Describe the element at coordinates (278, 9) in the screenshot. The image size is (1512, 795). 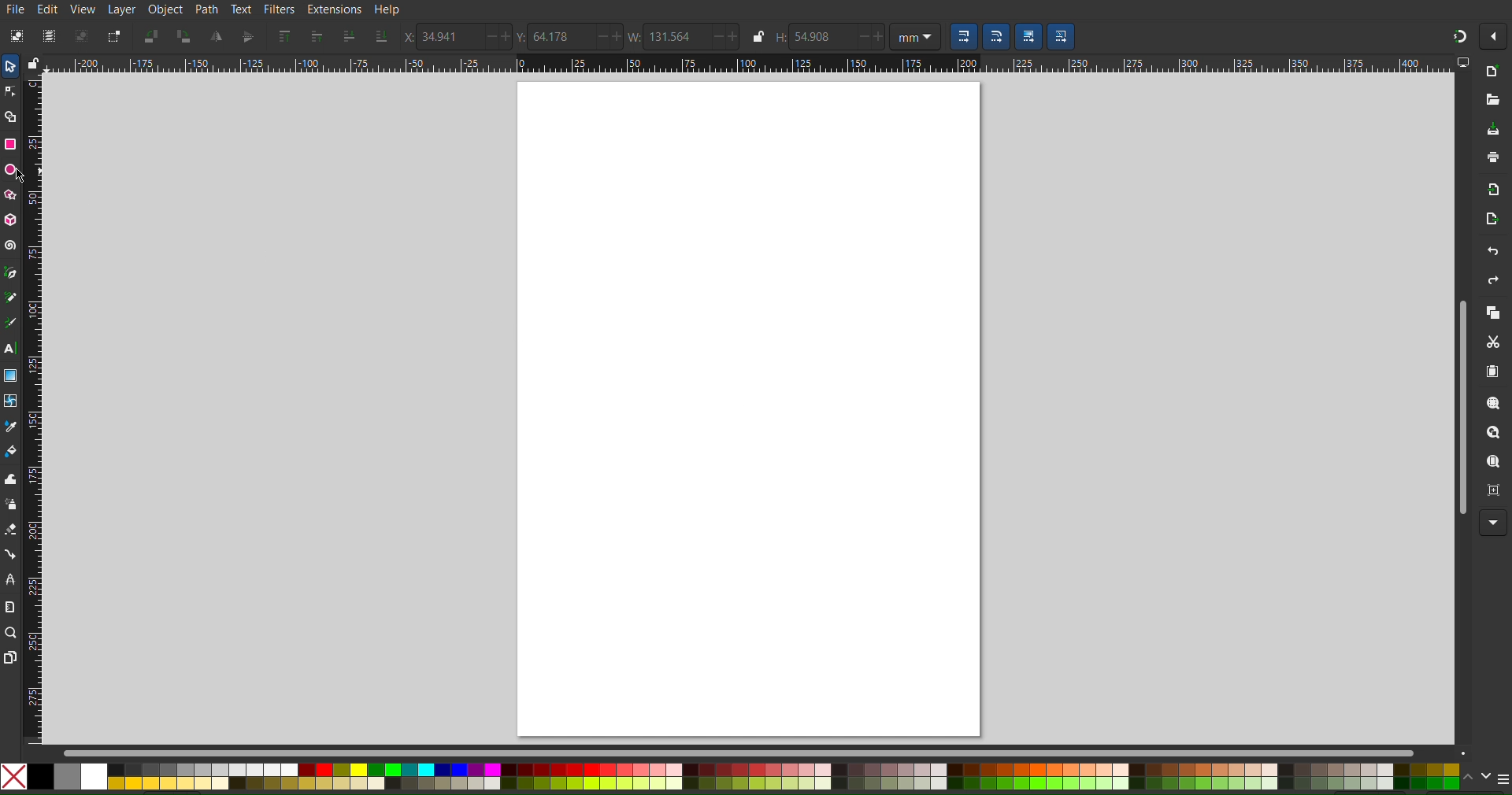
I see `Filters` at that location.